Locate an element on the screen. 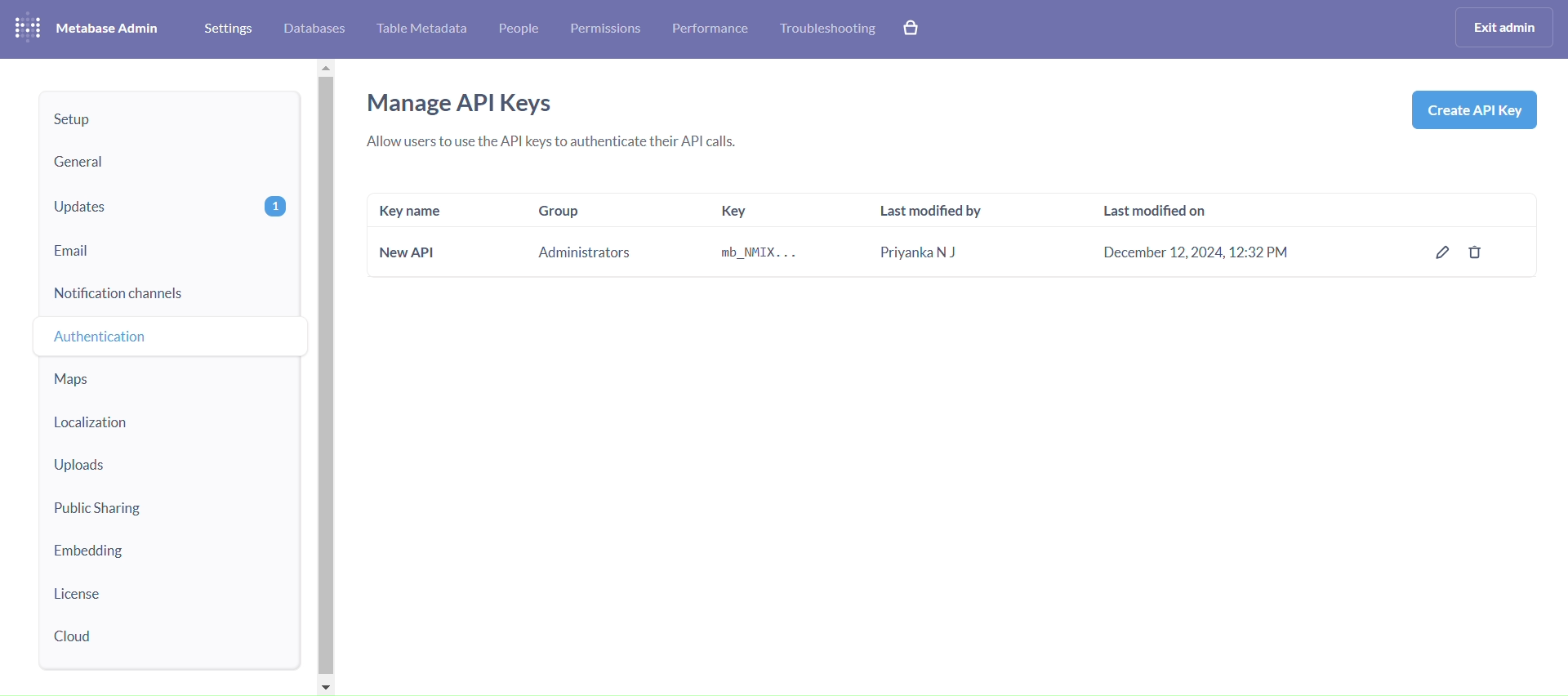 The width and height of the screenshot is (1568, 696). vertical scroll bar is located at coordinates (327, 377).